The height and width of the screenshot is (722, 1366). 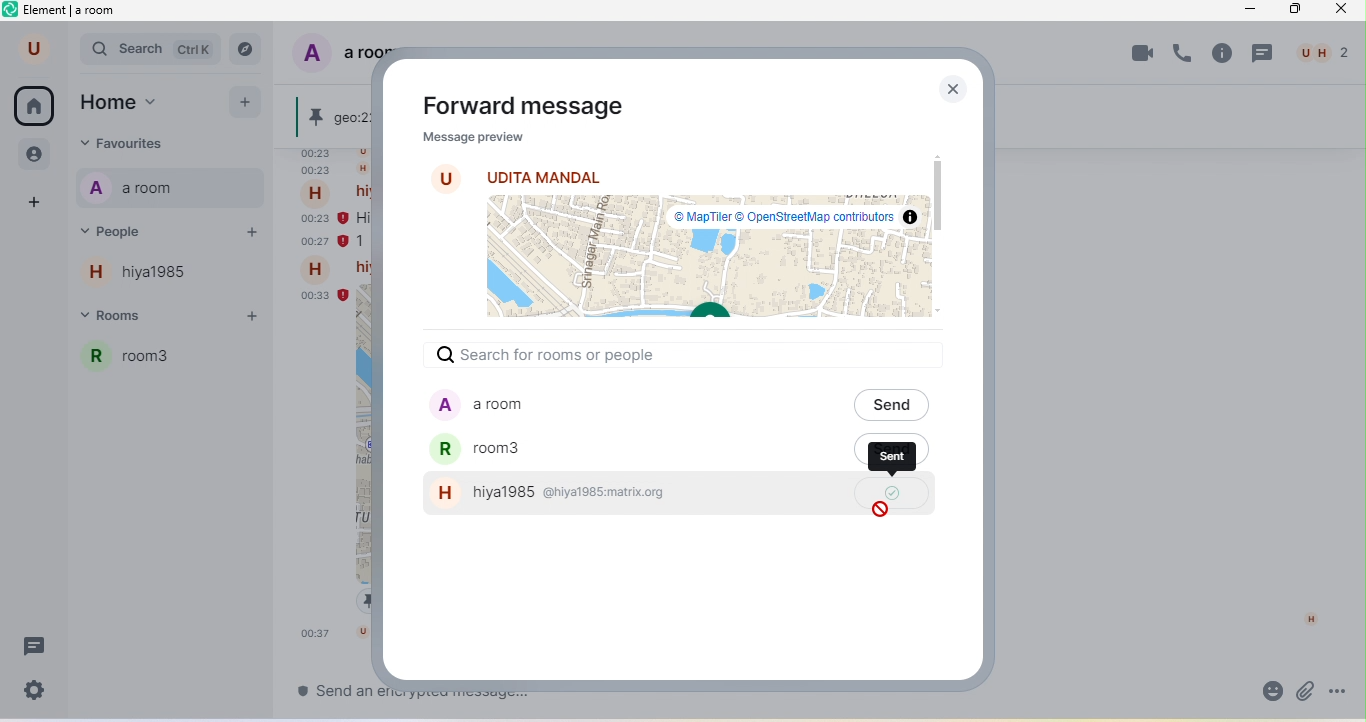 I want to click on rooms, so click(x=135, y=318).